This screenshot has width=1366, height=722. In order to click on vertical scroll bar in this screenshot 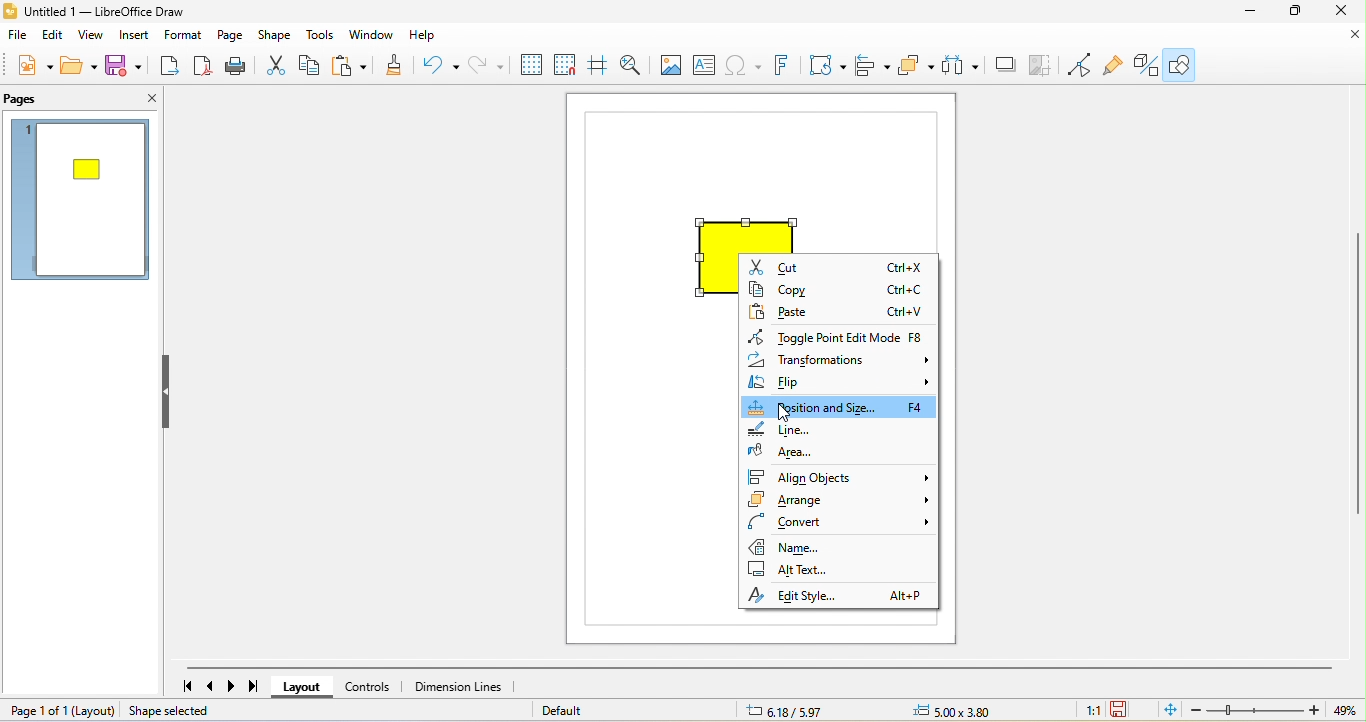, I will do `click(1357, 380)`.